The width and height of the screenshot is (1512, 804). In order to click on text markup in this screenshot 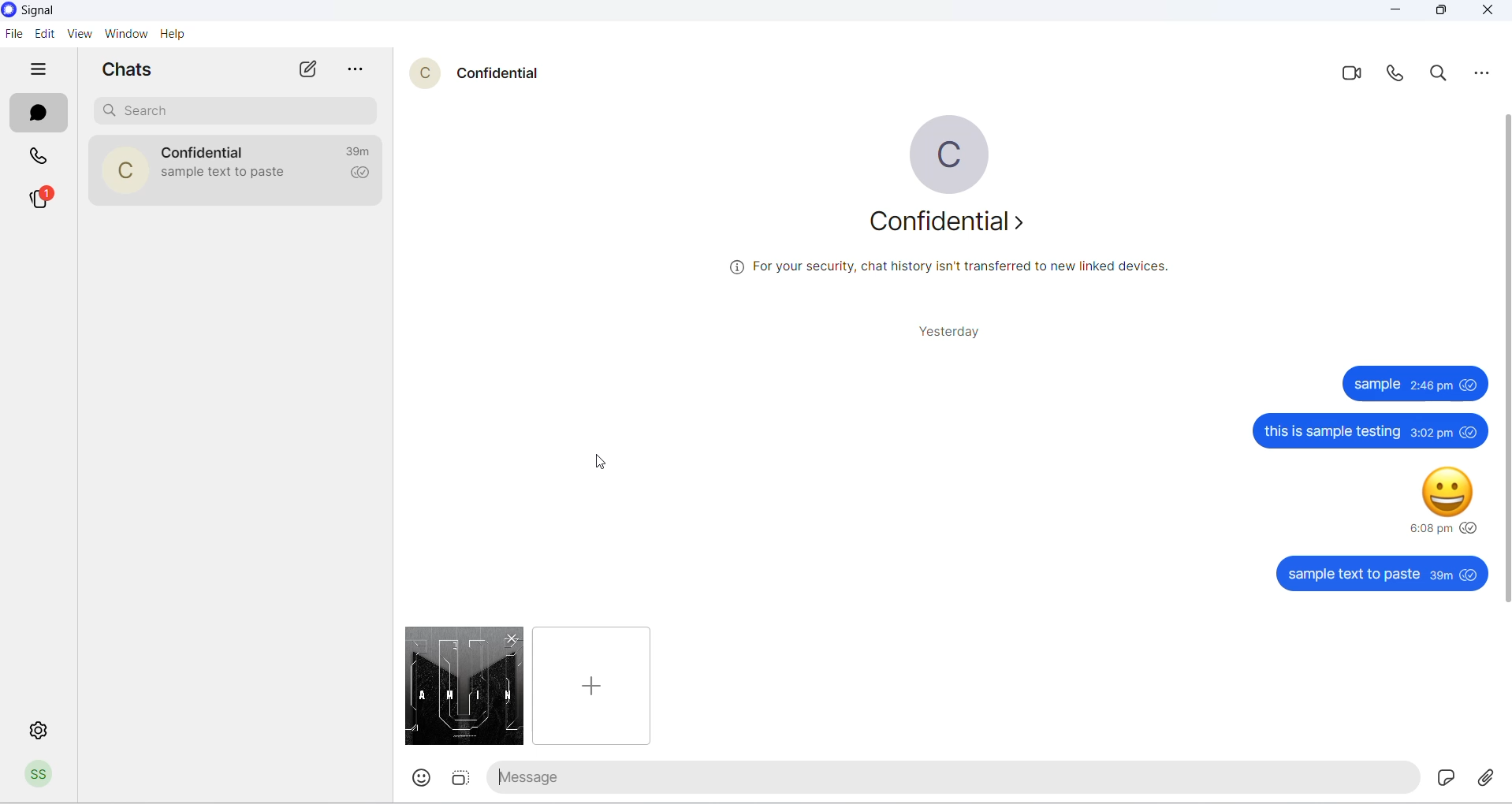, I will do `click(501, 779)`.